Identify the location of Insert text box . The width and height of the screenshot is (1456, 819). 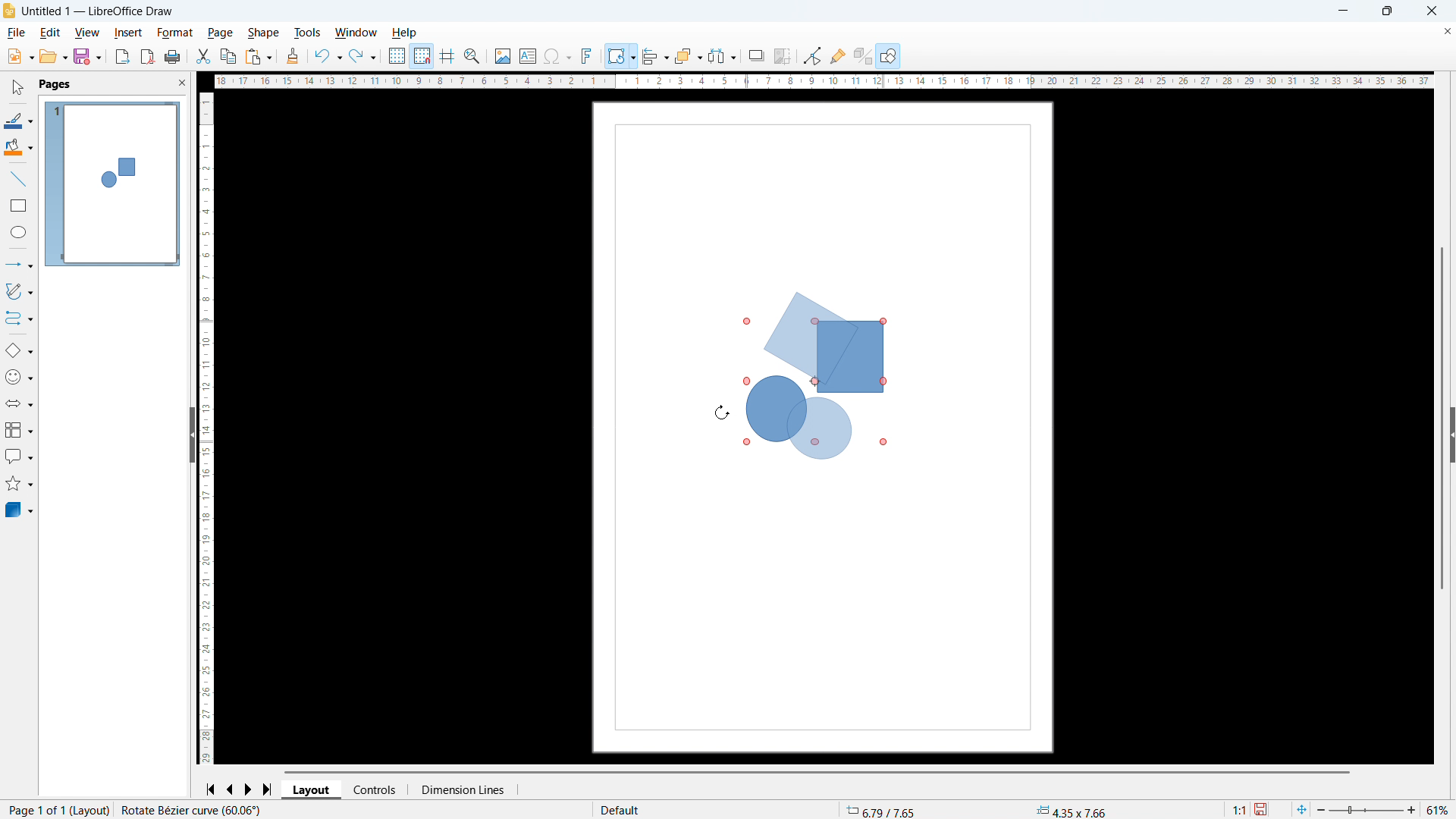
(528, 56).